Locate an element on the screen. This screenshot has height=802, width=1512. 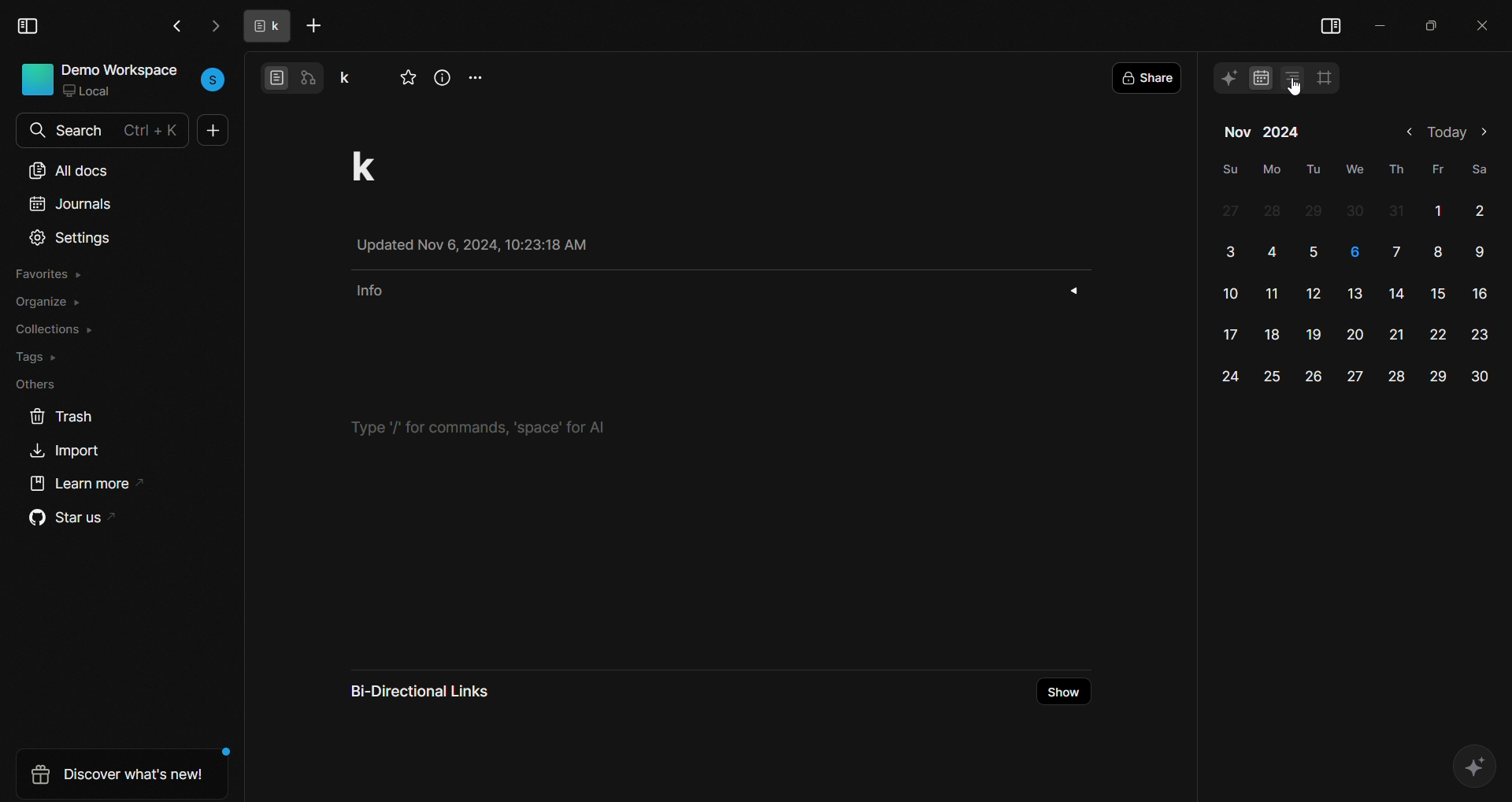
favorite is located at coordinates (409, 79).